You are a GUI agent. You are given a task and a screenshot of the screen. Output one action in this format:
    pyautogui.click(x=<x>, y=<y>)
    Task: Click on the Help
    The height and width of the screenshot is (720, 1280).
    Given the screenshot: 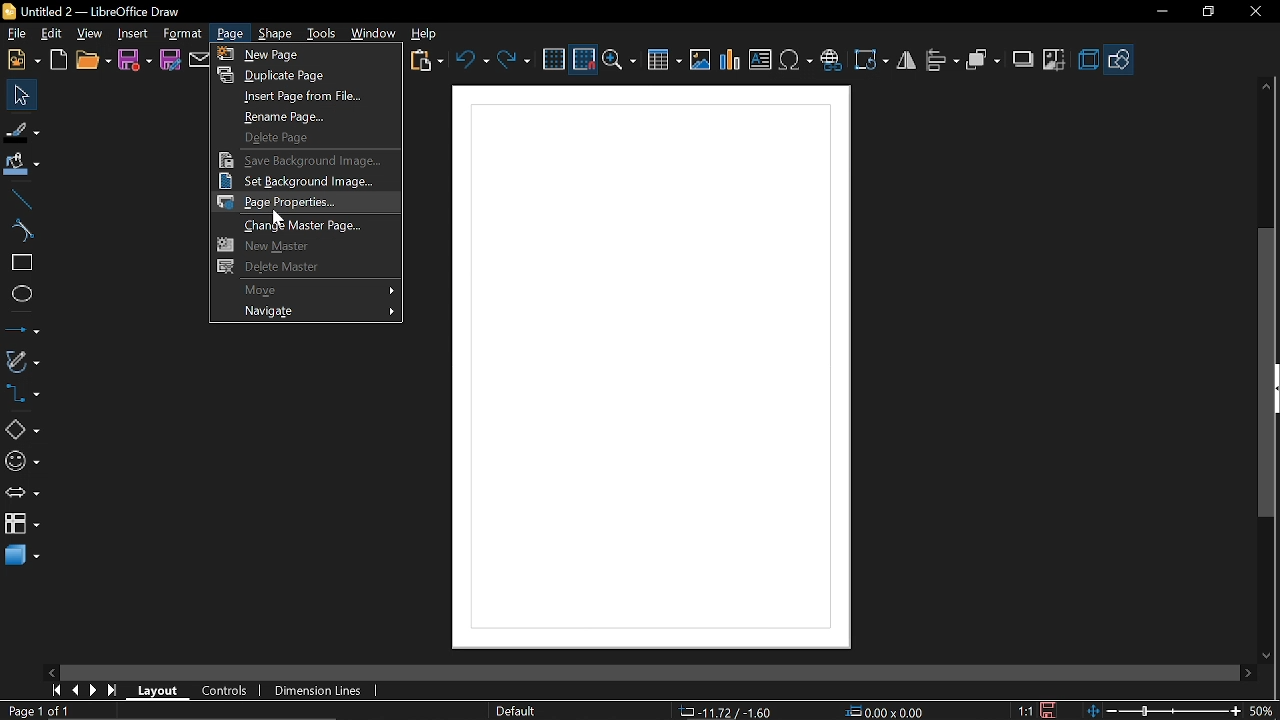 What is the action you would take?
    pyautogui.click(x=426, y=33)
    